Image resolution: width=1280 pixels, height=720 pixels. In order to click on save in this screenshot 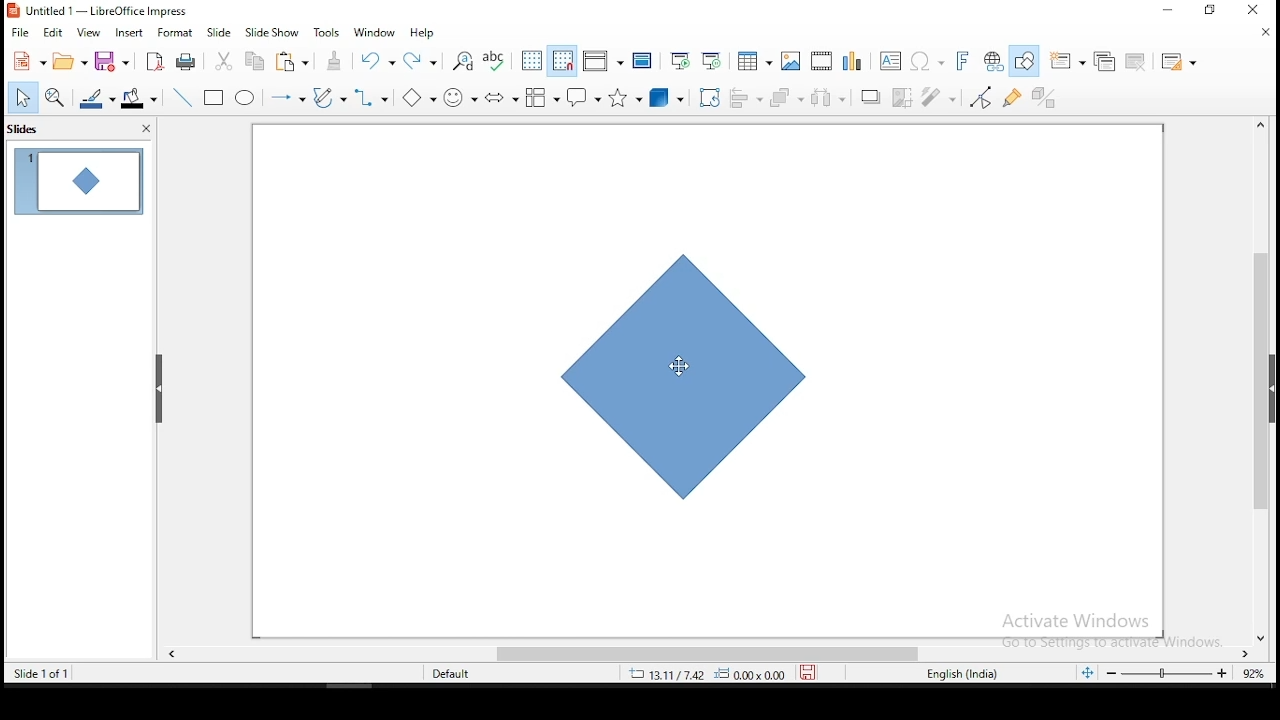, I will do `click(114, 61)`.